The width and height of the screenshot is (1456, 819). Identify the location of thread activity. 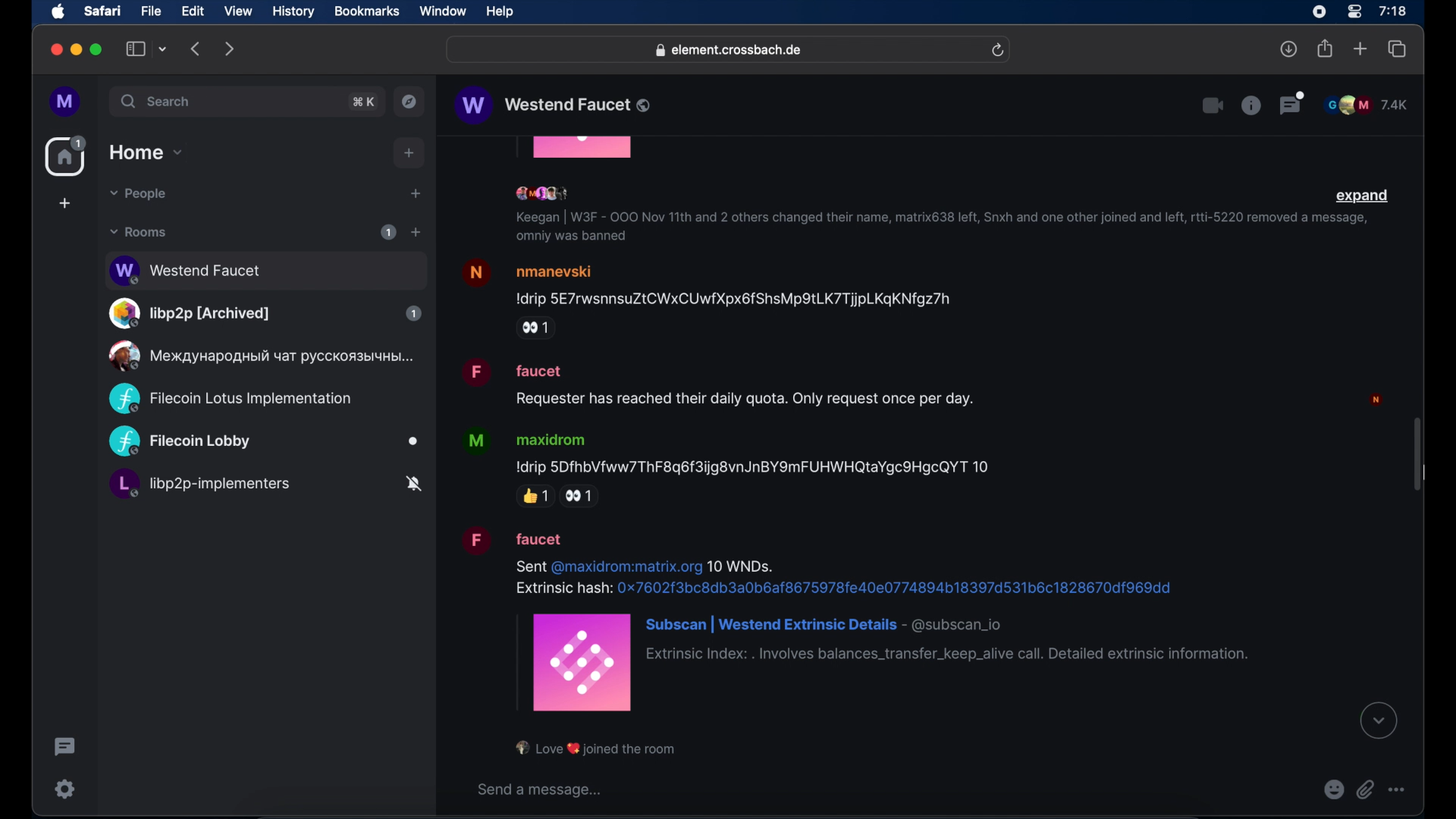
(66, 747).